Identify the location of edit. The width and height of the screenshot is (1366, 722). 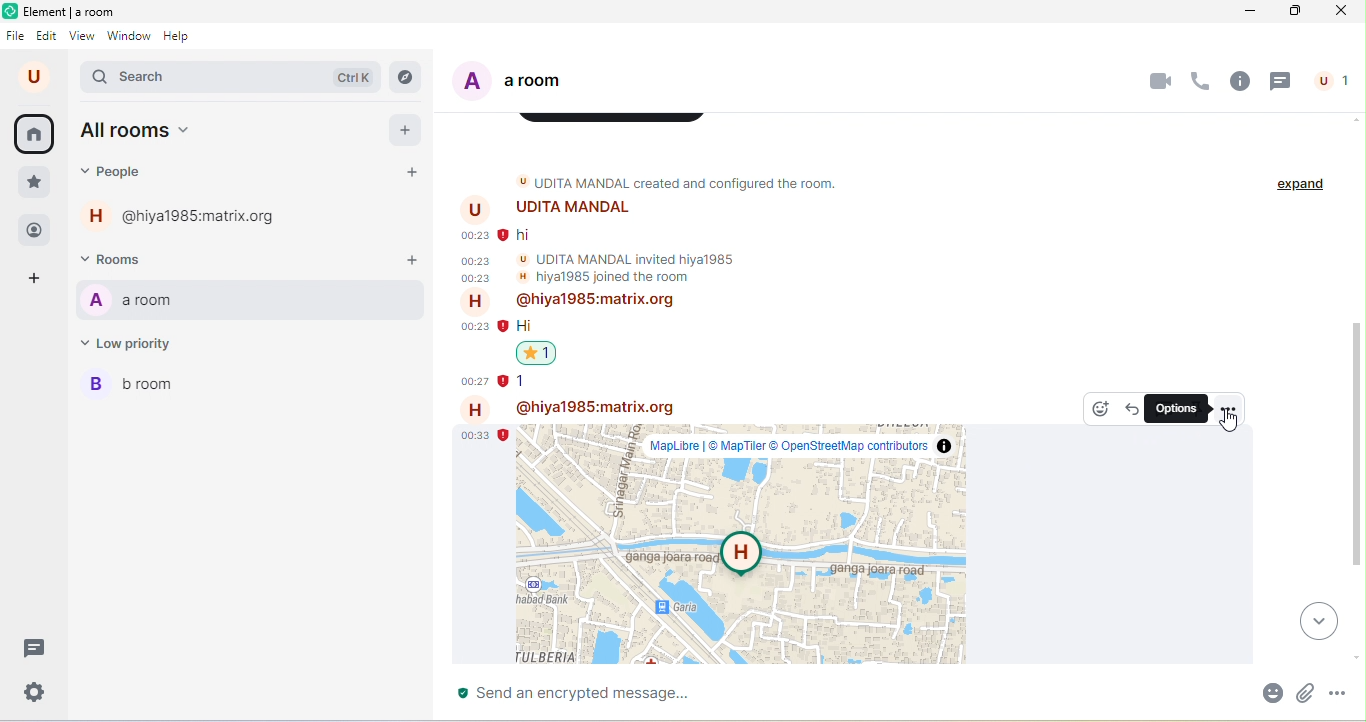
(47, 37).